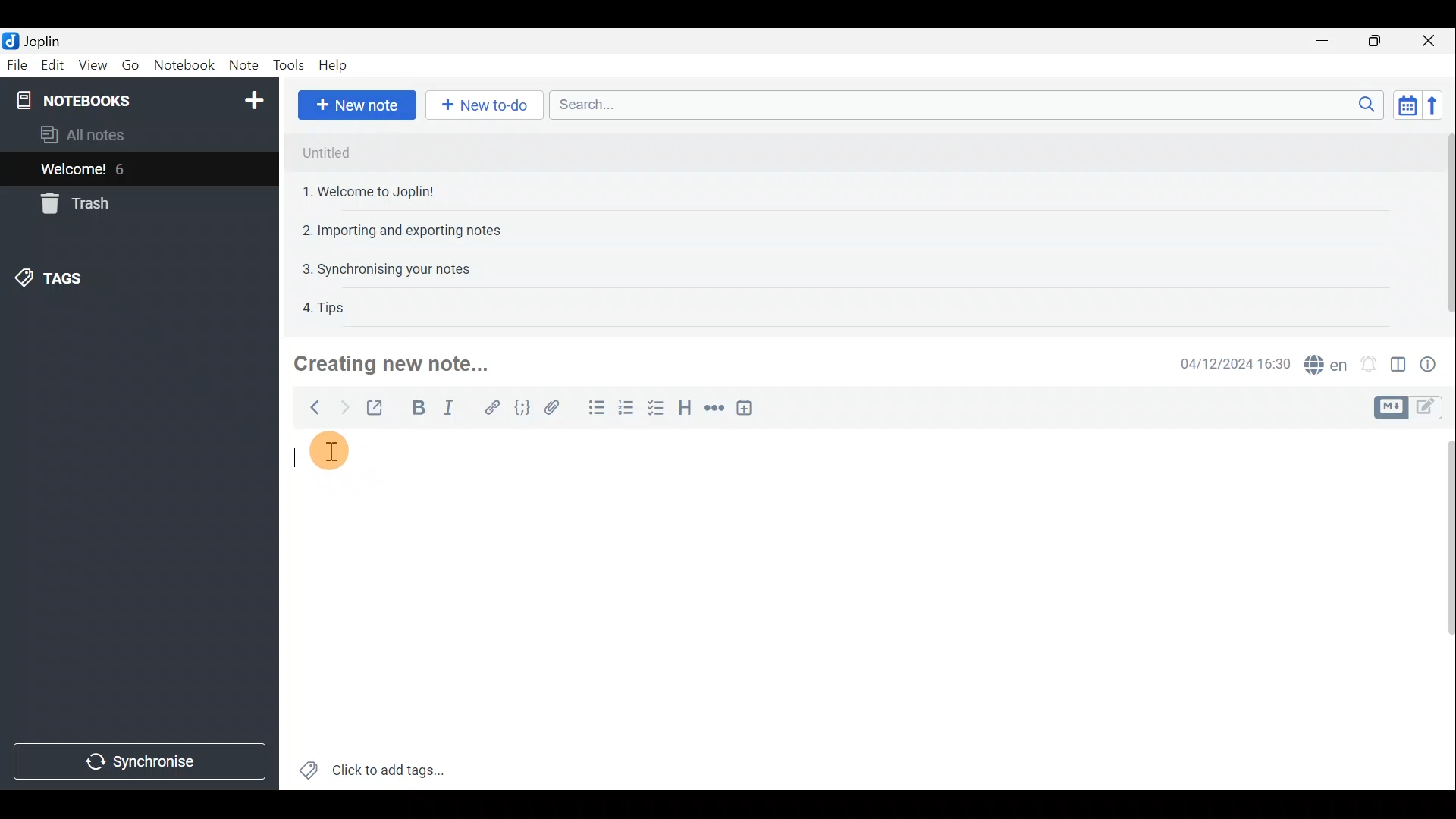 Image resolution: width=1456 pixels, height=819 pixels. Describe the element at coordinates (379, 409) in the screenshot. I see `Toggle external editing` at that location.